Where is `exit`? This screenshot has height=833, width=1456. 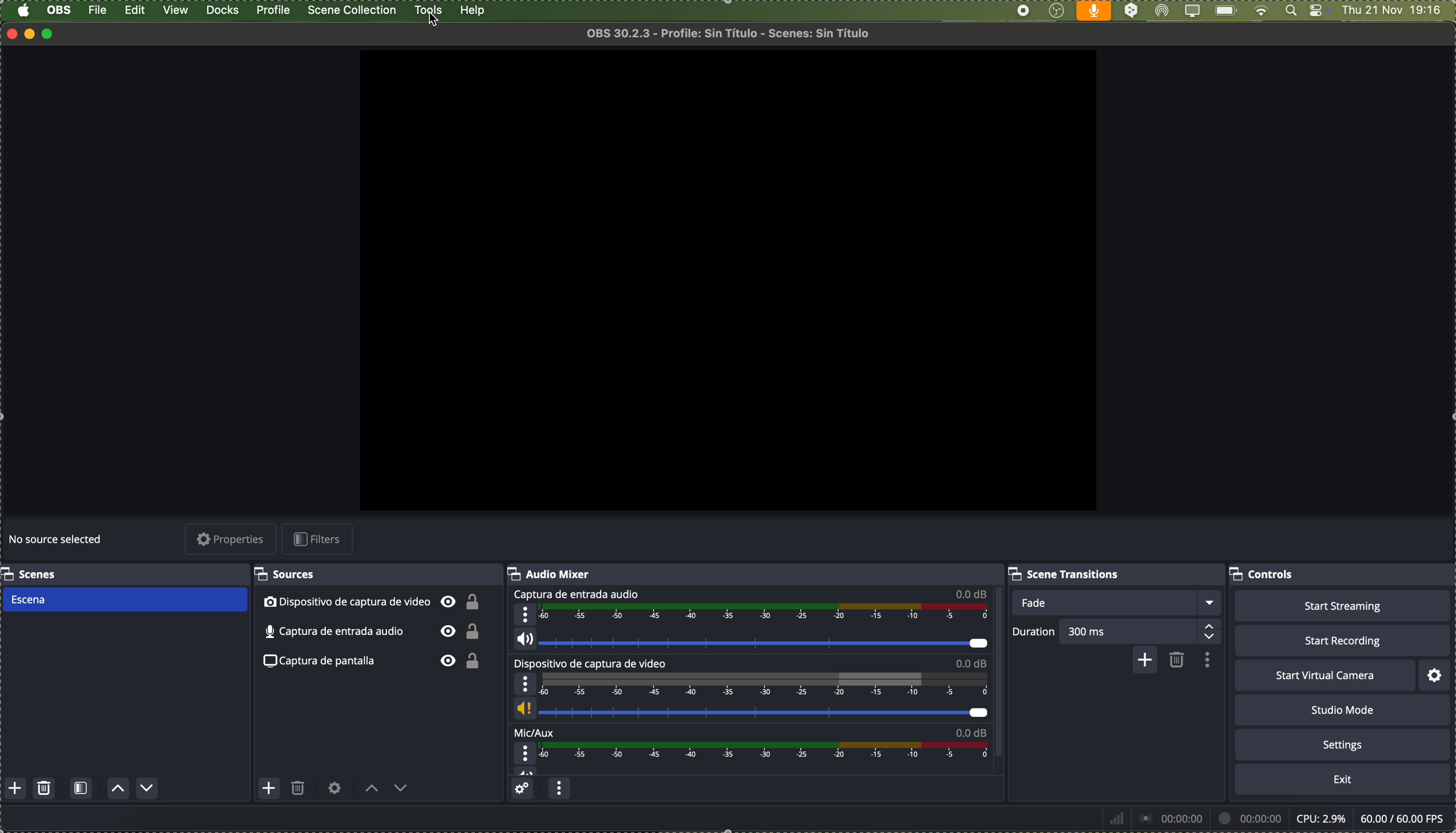 exit is located at coordinates (1343, 780).